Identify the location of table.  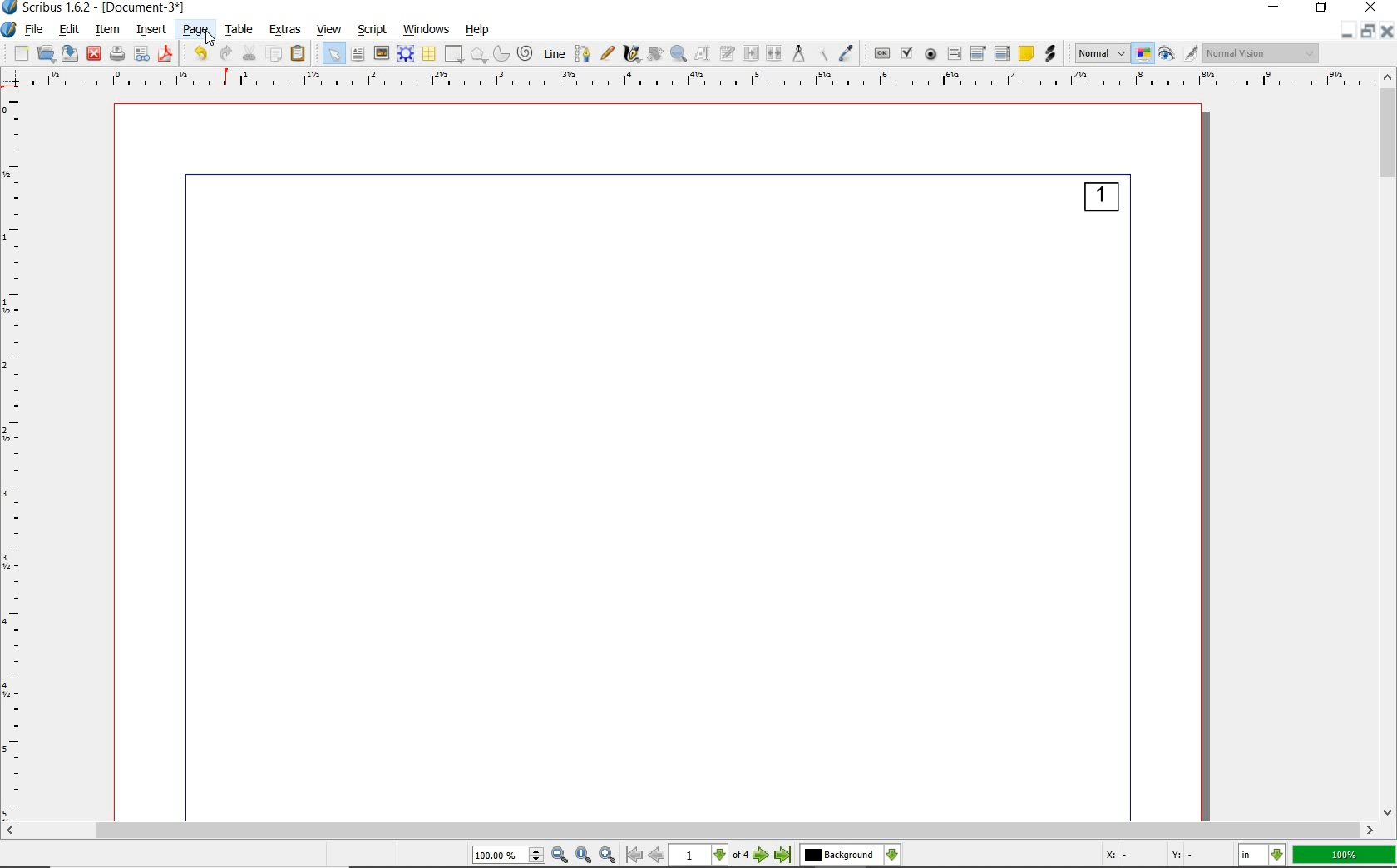
(429, 52).